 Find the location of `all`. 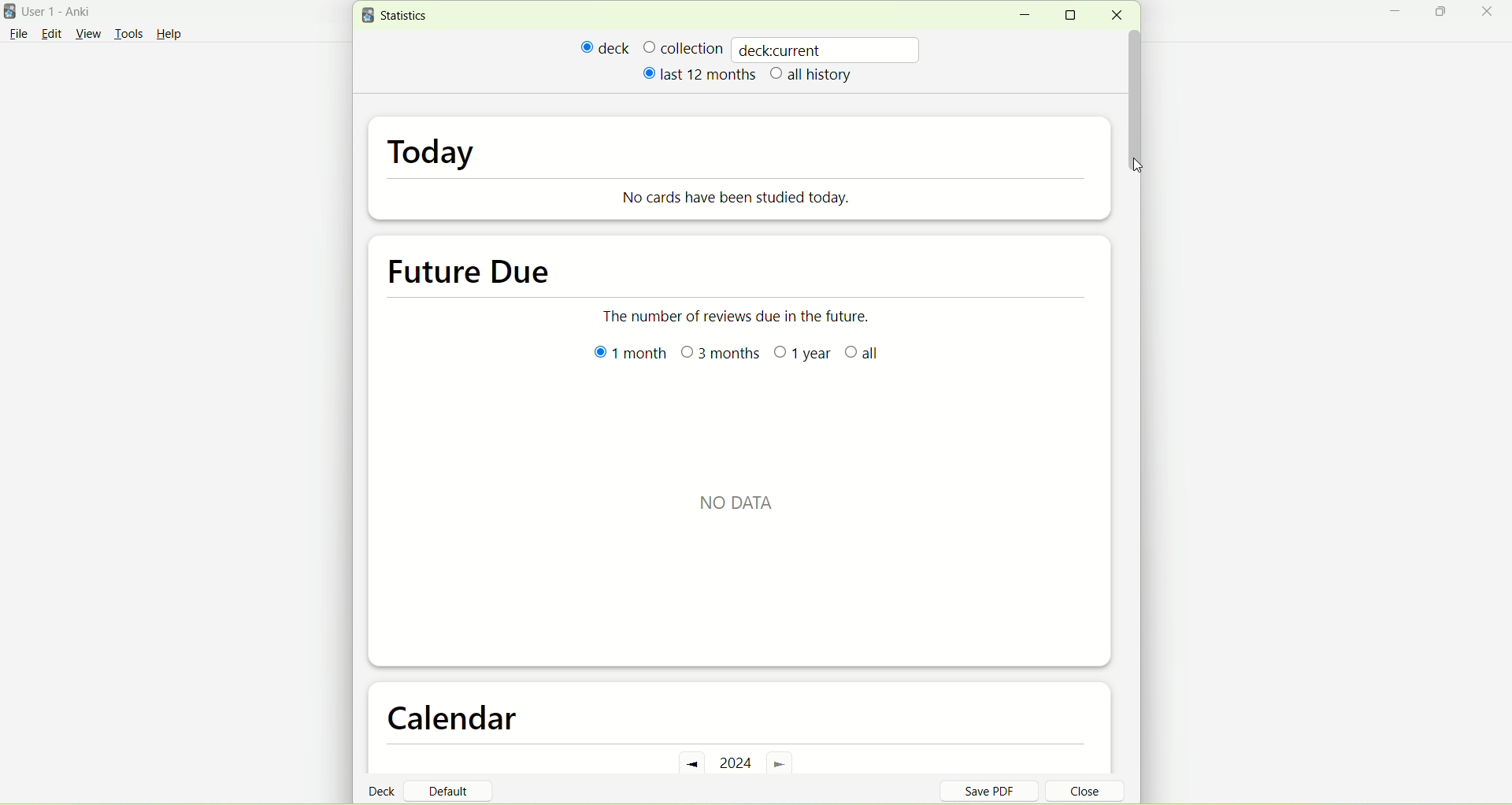

all is located at coordinates (862, 354).